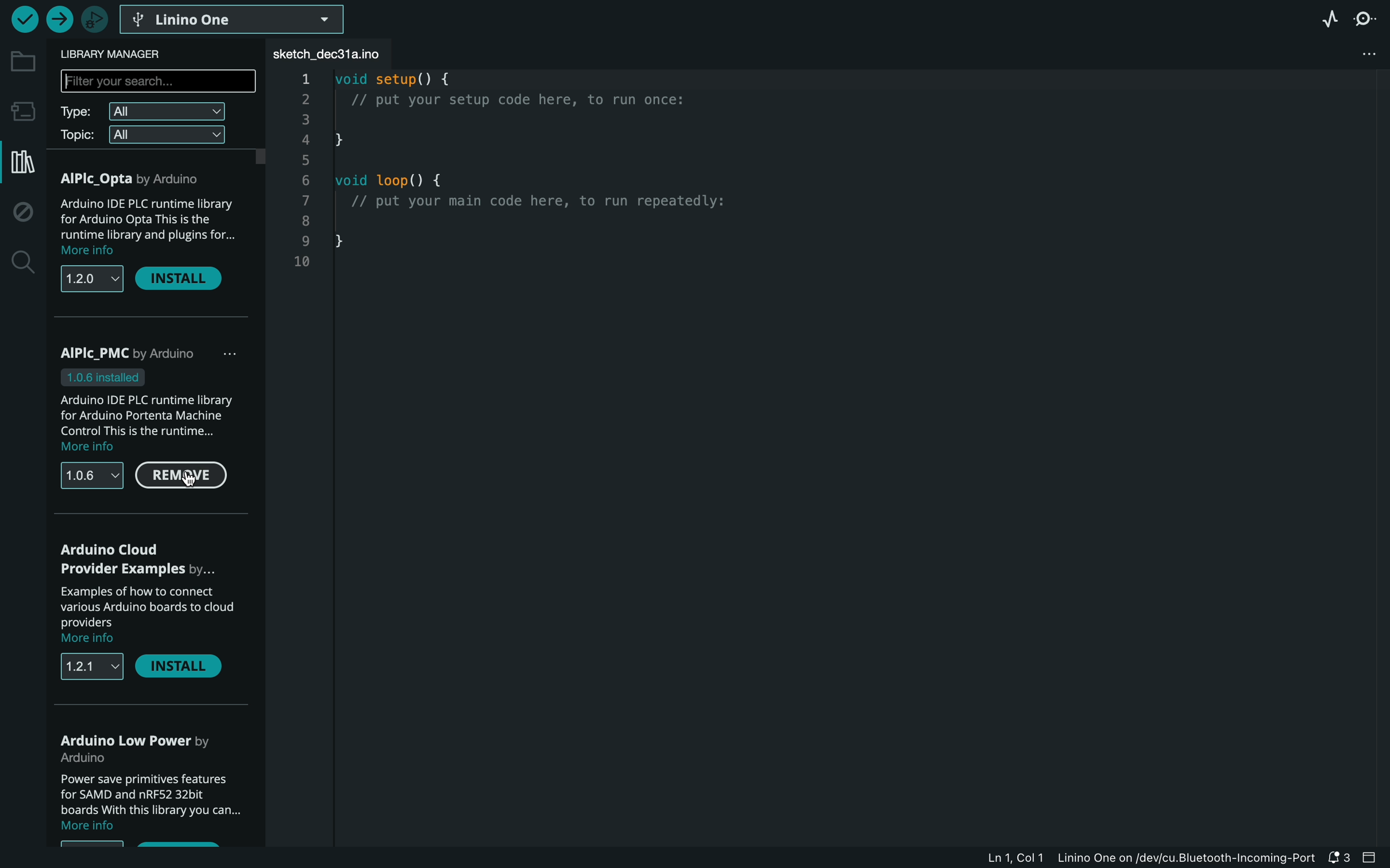  What do you see at coordinates (150, 226) in the screenshot?
I see `description` at bounding box center [150, 226].